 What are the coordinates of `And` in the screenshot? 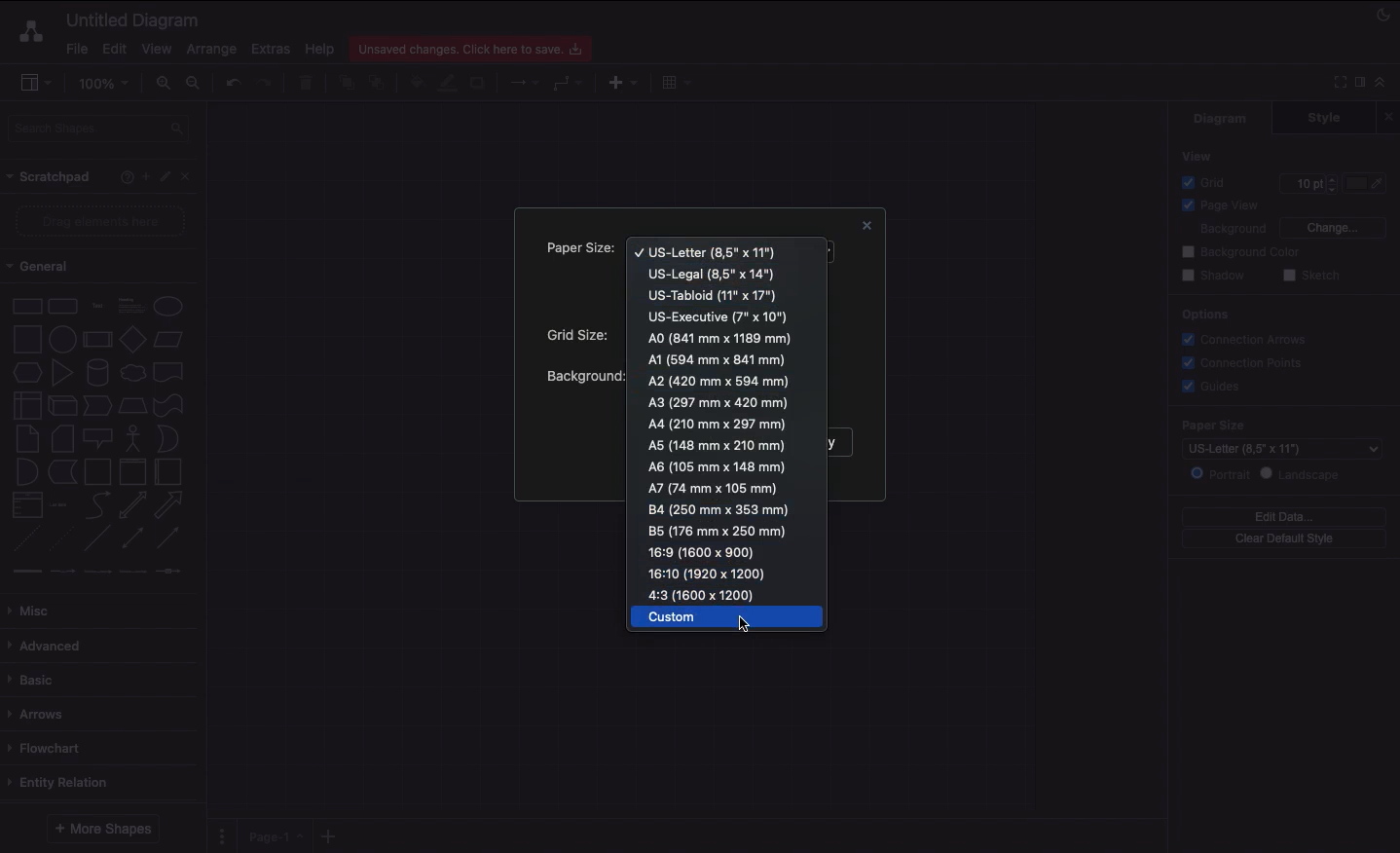 It's located at (28, 473).